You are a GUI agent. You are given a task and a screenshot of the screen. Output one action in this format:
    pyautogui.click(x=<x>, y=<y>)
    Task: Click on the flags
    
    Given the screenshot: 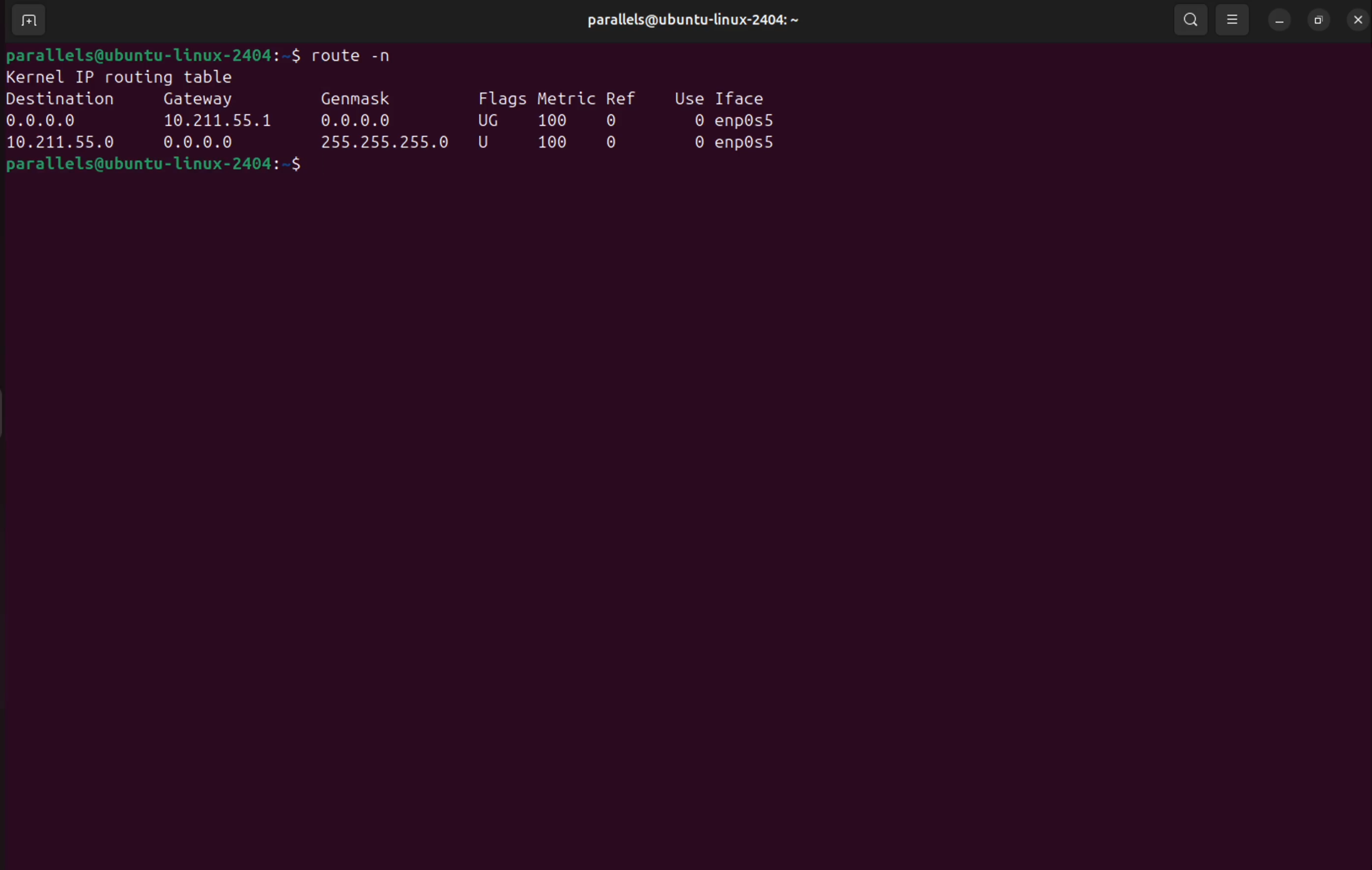 What is the action you would take?
    pyautogui.click(x=503, y=96)
    